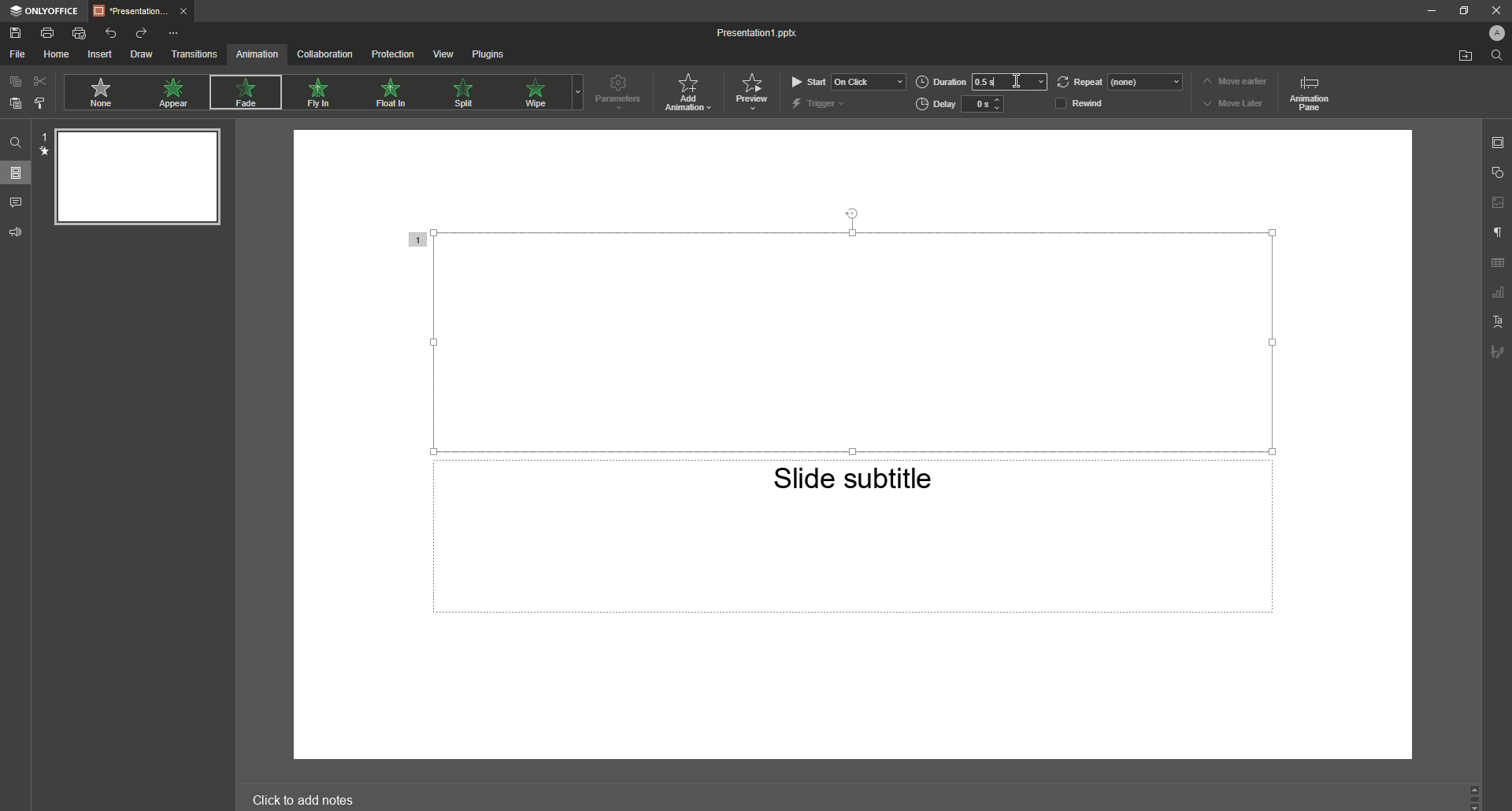  I want to click on Fade, so click(243, 94).